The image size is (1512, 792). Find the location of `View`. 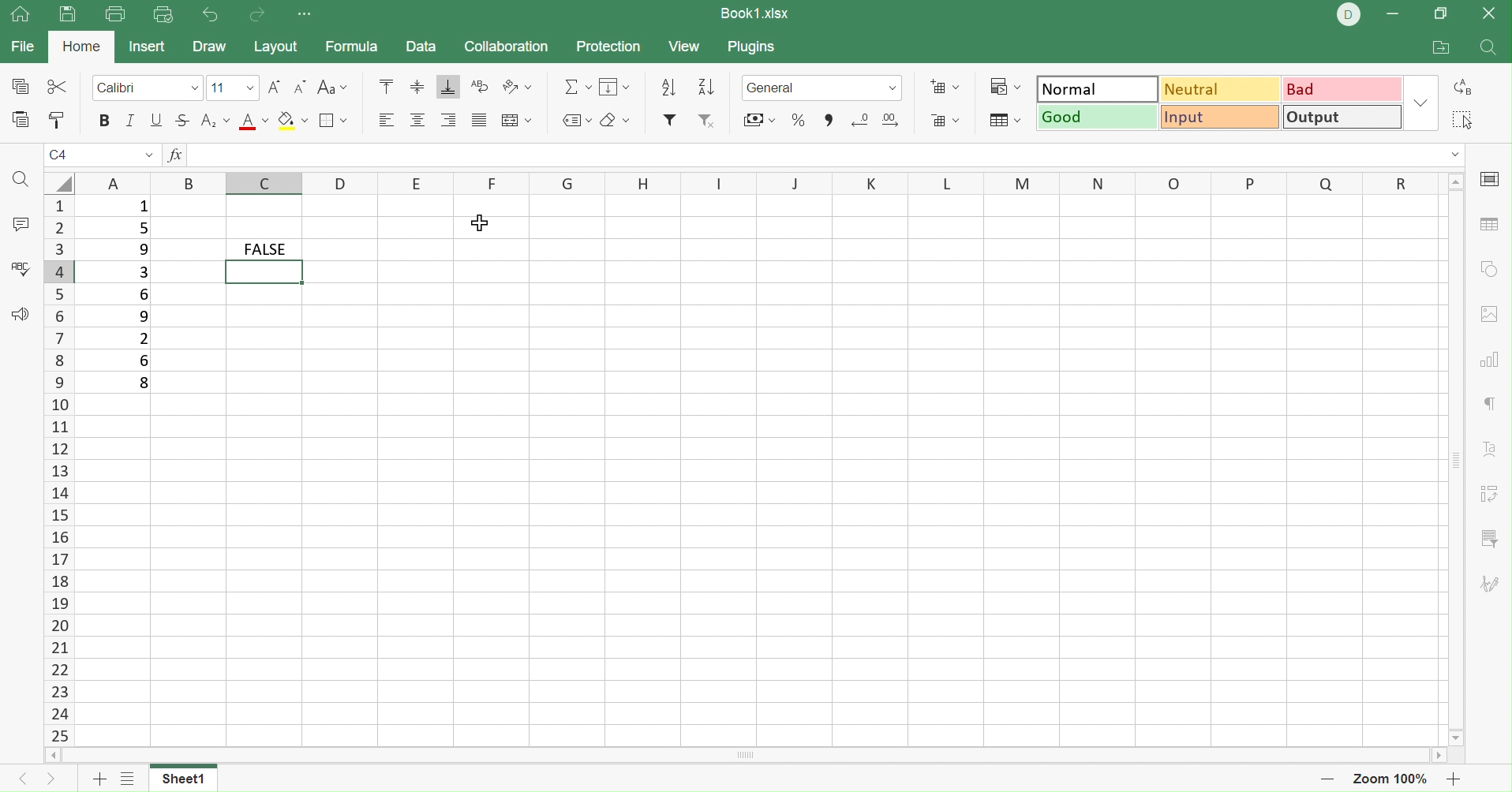

View is located at coordinates (683, 47).